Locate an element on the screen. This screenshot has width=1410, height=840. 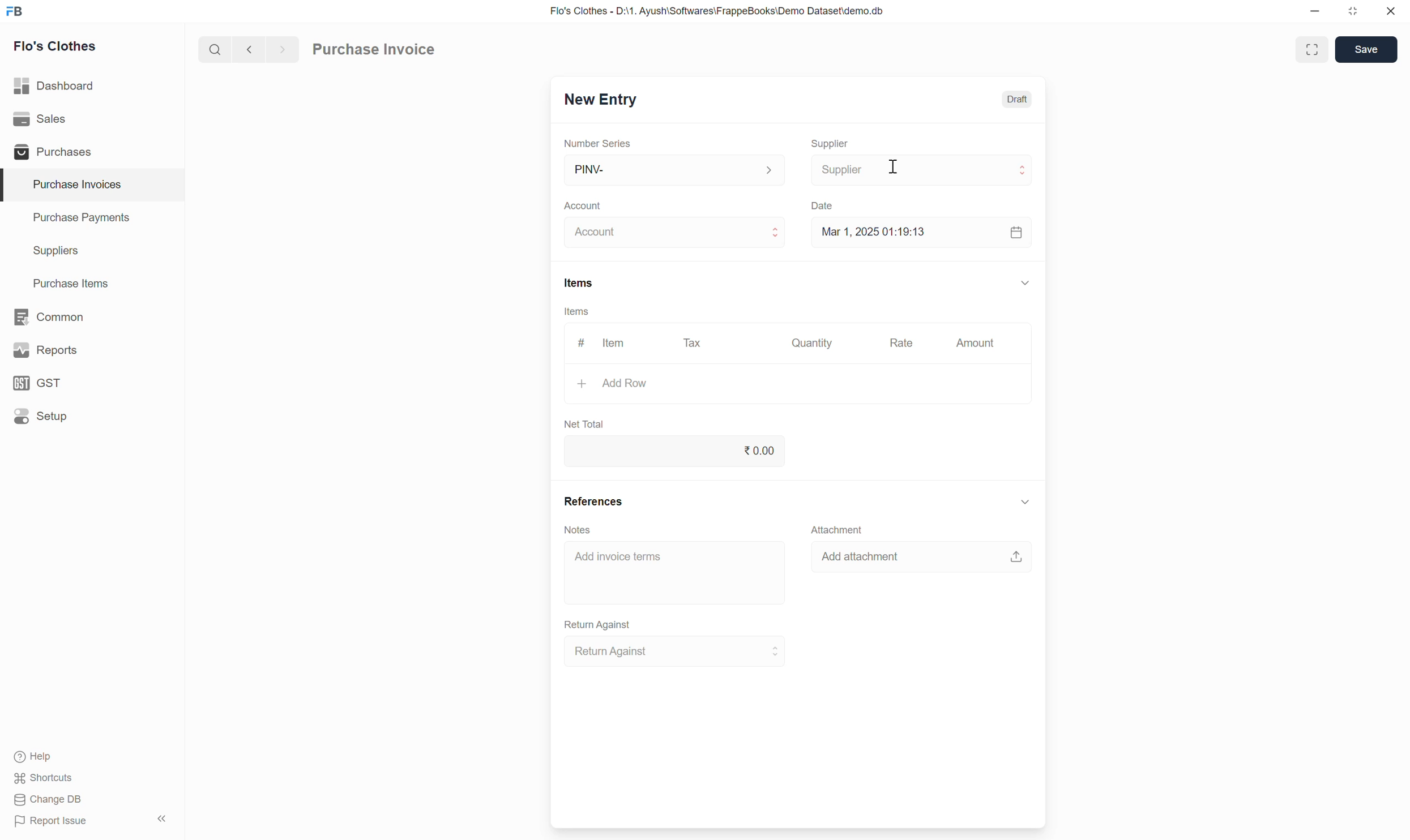
frappe books logo is located at coordinates (17, 11).